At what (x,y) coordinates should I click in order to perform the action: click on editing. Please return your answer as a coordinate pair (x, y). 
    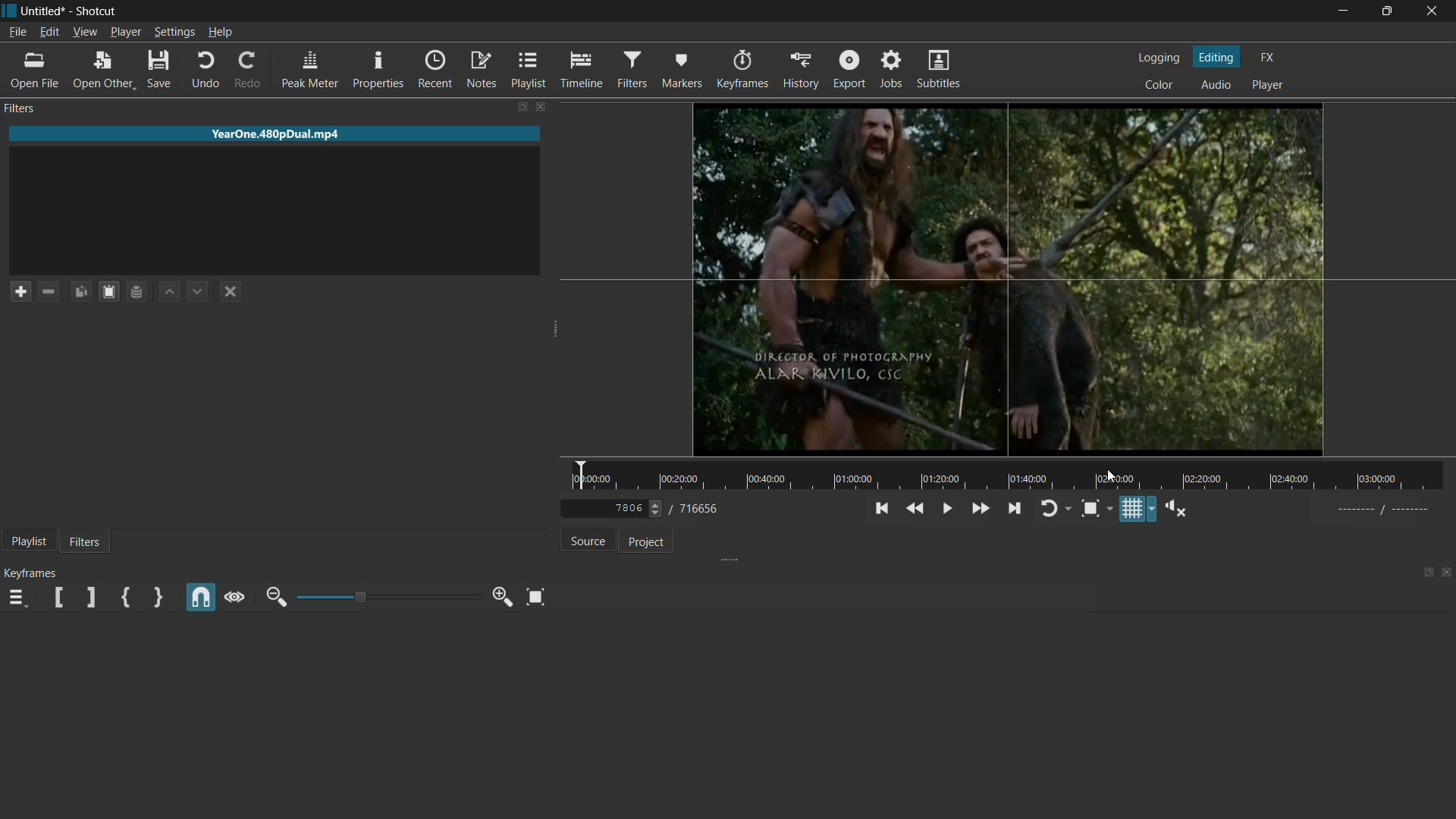
    Looking at the image, I should click on (1220, 58).